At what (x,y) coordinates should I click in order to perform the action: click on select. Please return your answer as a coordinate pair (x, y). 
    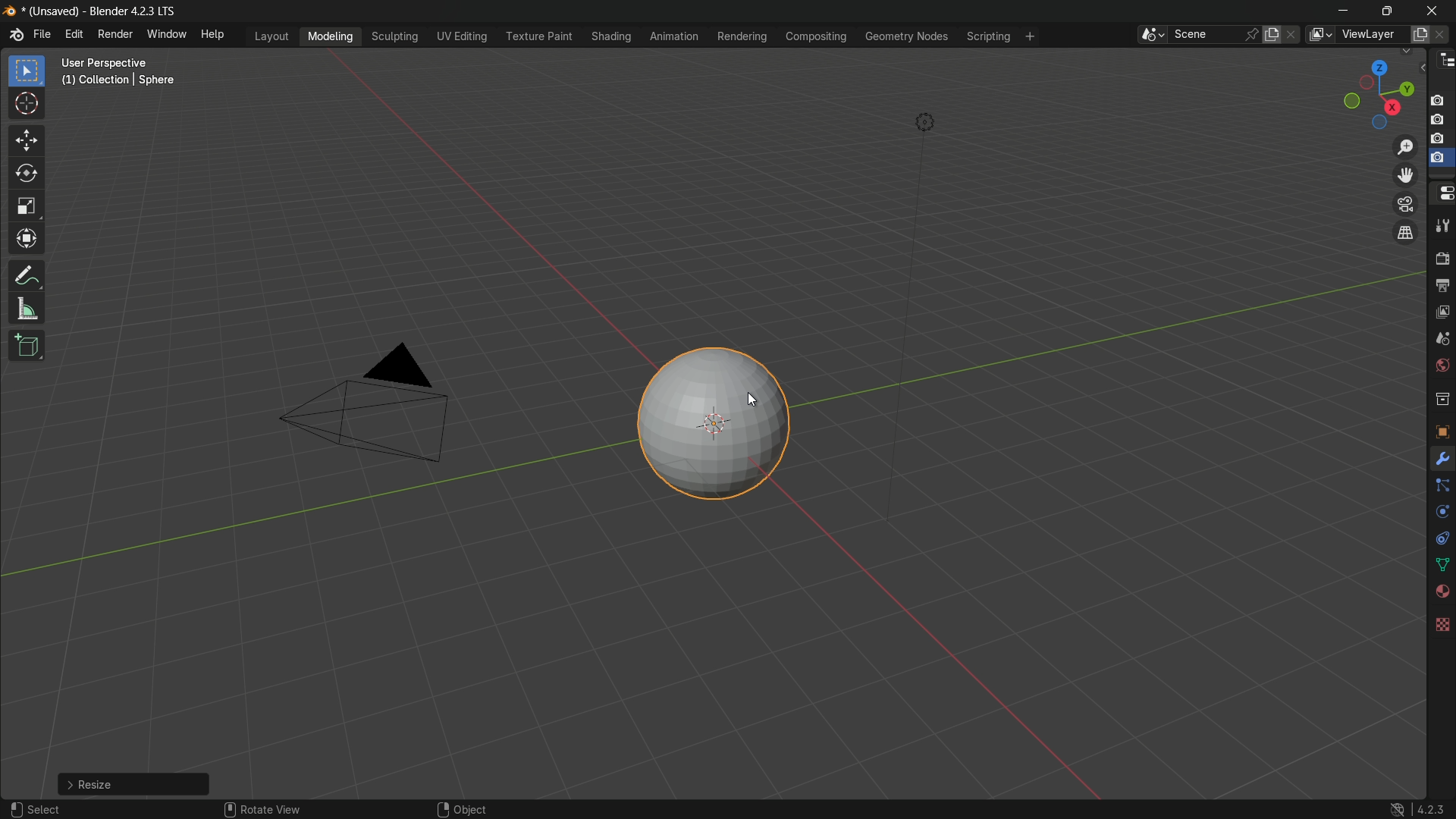
    Looking at the image, I should click on (125, 784).